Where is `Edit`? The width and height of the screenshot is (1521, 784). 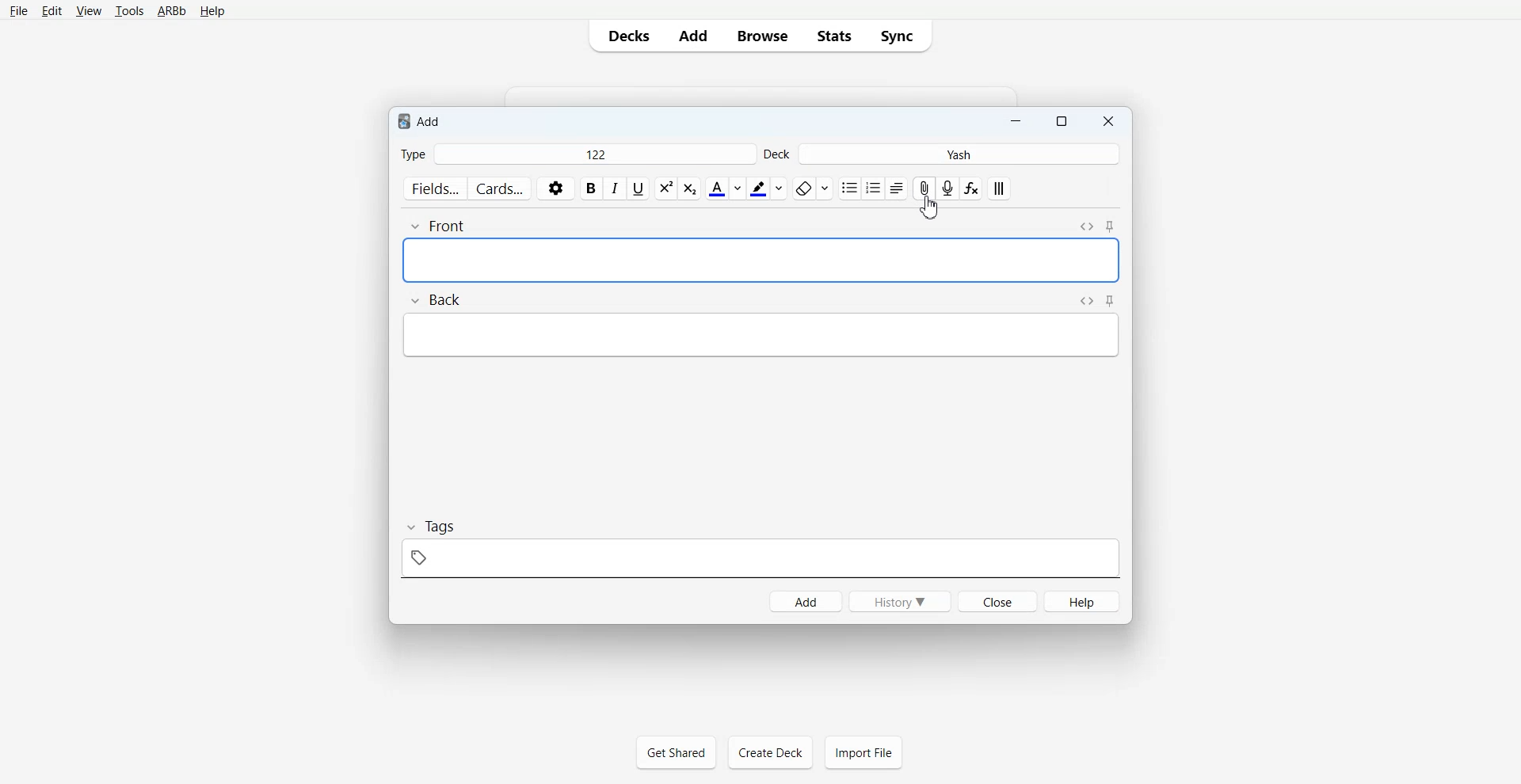
Edit is located at coordinates (51, 11).